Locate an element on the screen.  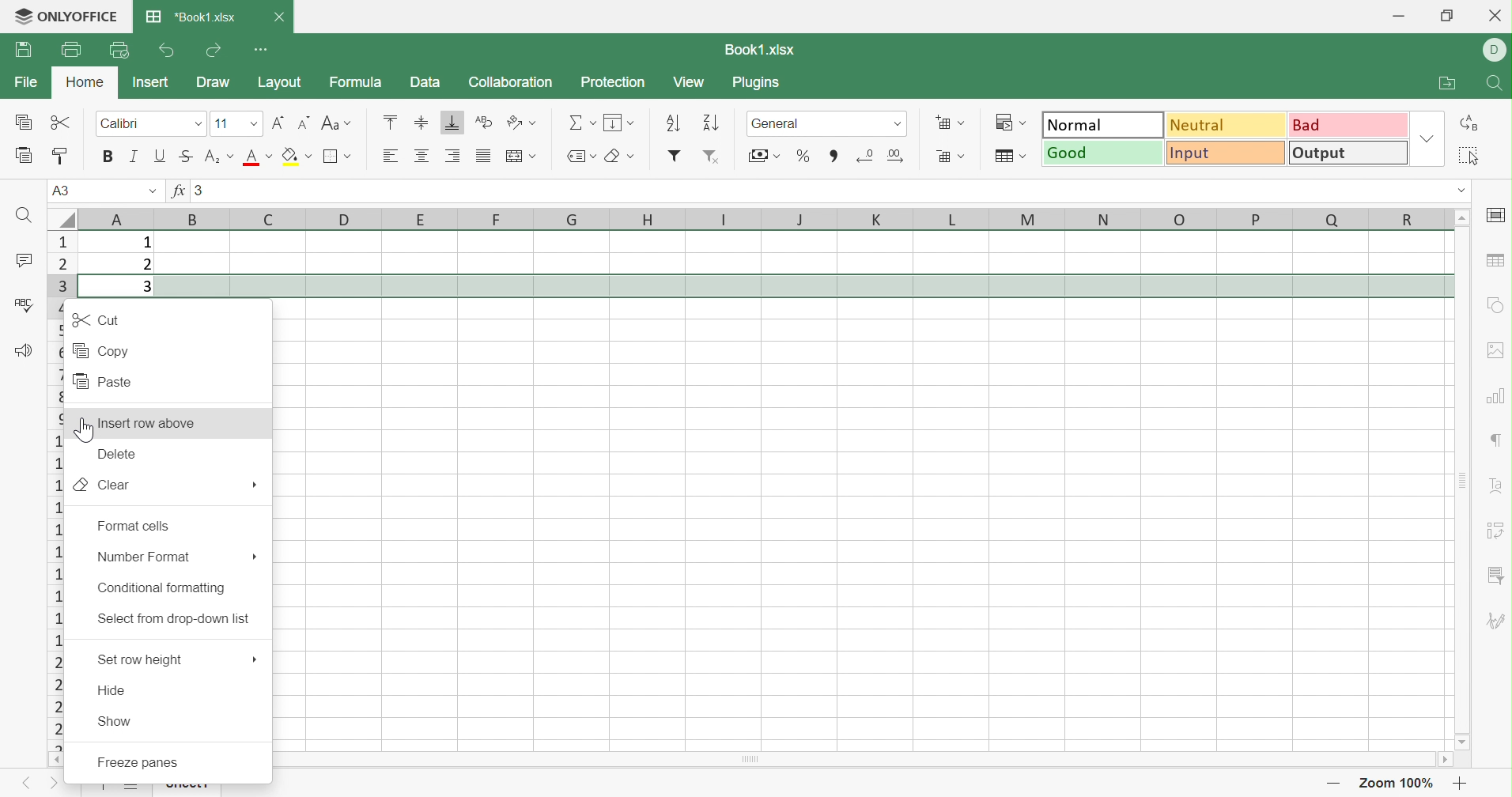
Freeze panes is located at coordinates (154, 758).